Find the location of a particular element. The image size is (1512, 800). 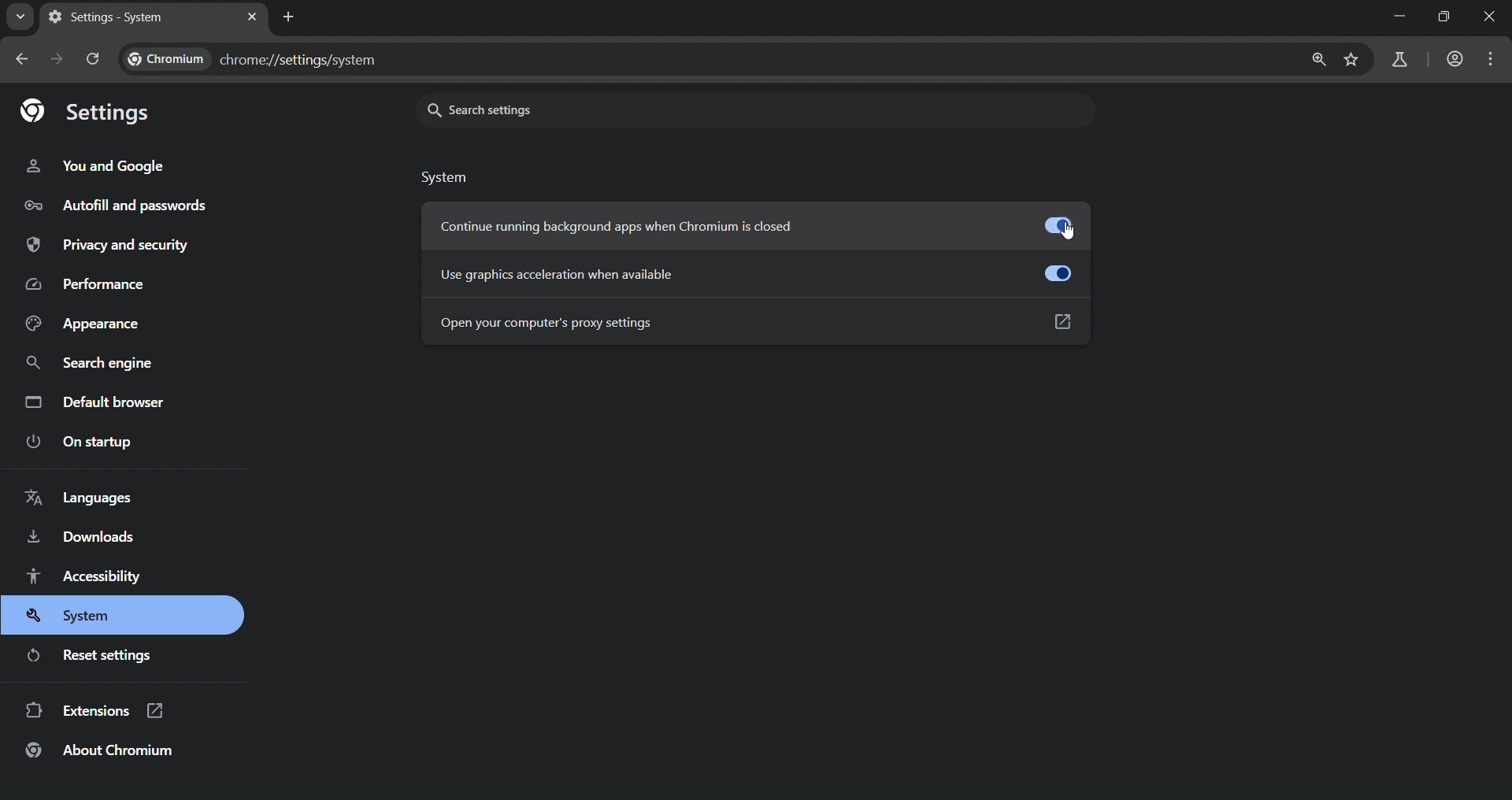

close is located at coordinates (1488, 17).